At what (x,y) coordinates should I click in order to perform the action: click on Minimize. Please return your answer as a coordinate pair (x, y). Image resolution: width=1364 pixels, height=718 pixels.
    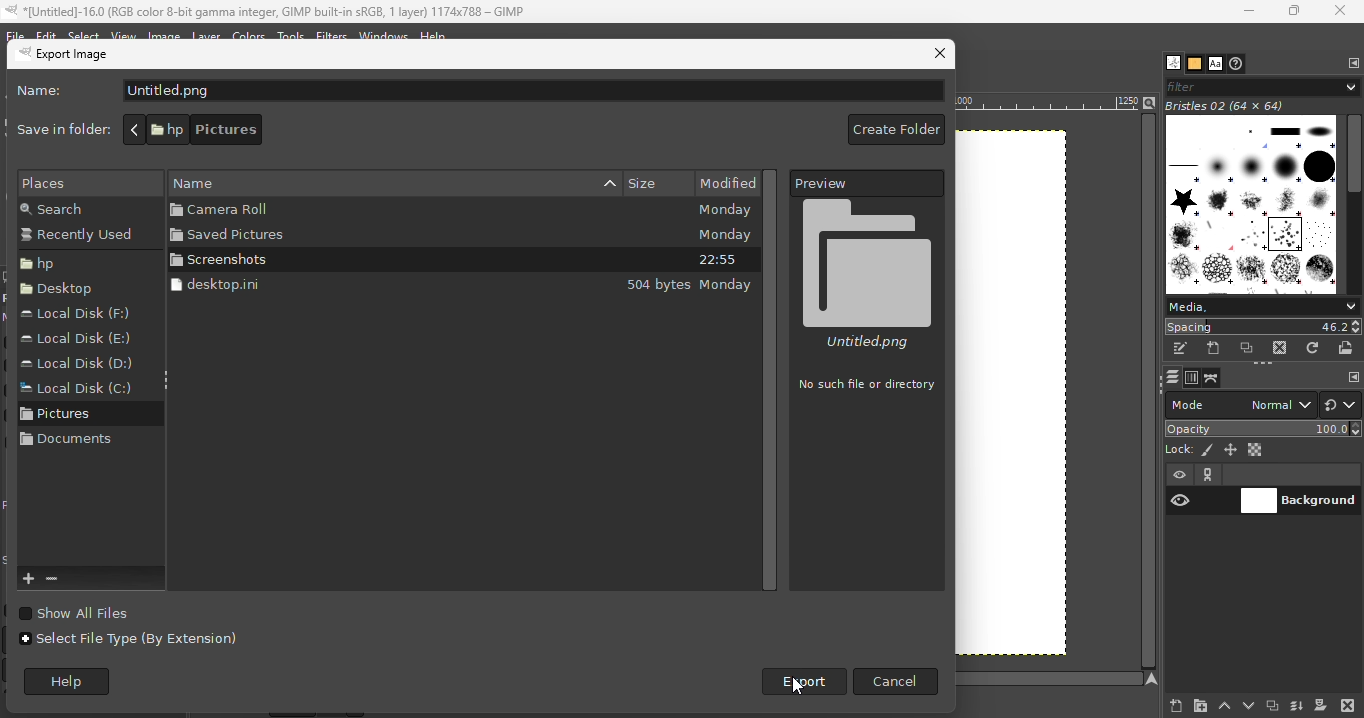
    Looking at the image, I should click on (1244, 11).